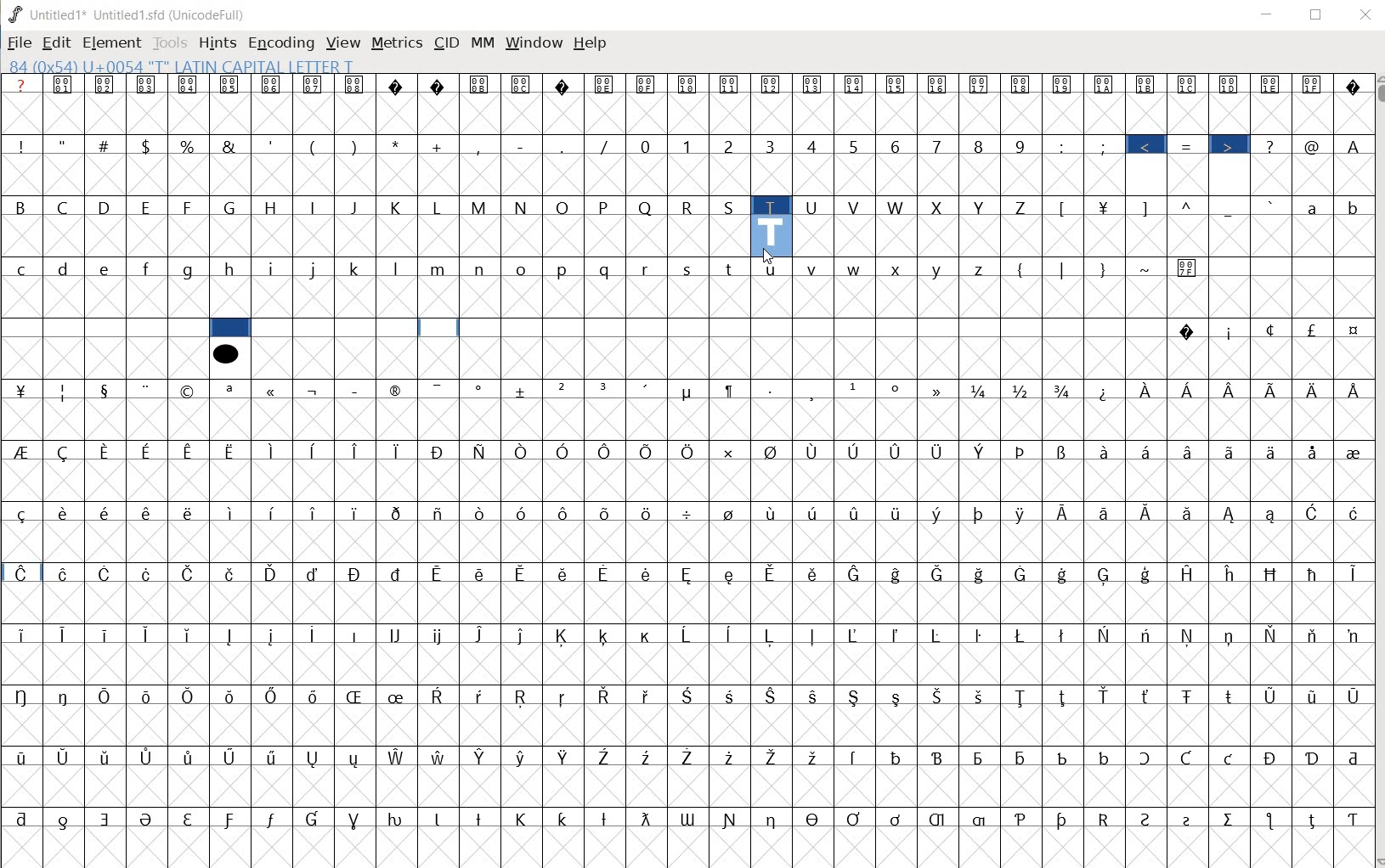 This screenshot has width=1385, height=868. What do you see at coordinates (647, 206) in the screenshot?
I see `Q` at bounding box center [647, 206].